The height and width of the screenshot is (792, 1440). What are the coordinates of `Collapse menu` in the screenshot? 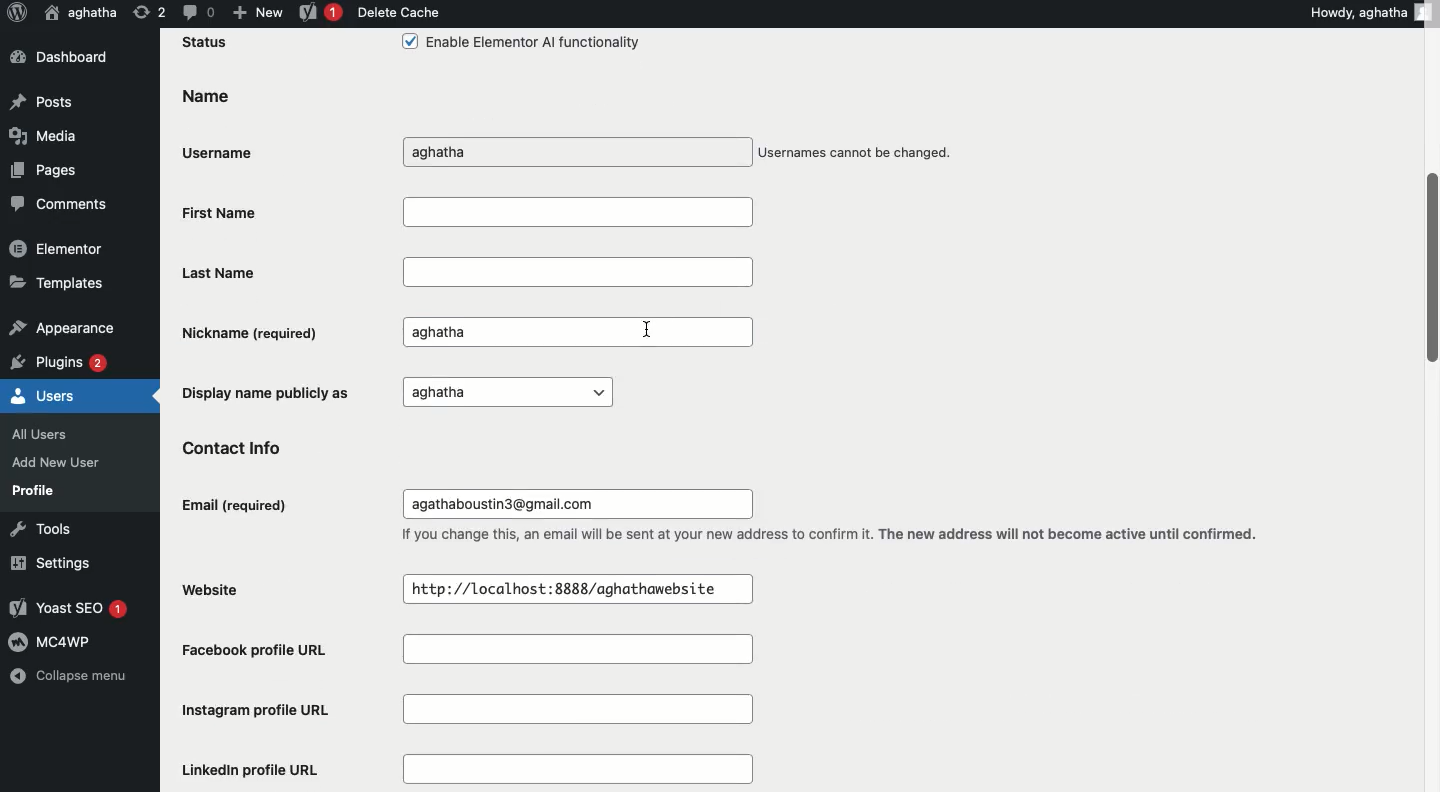 It's located at (78, 677).